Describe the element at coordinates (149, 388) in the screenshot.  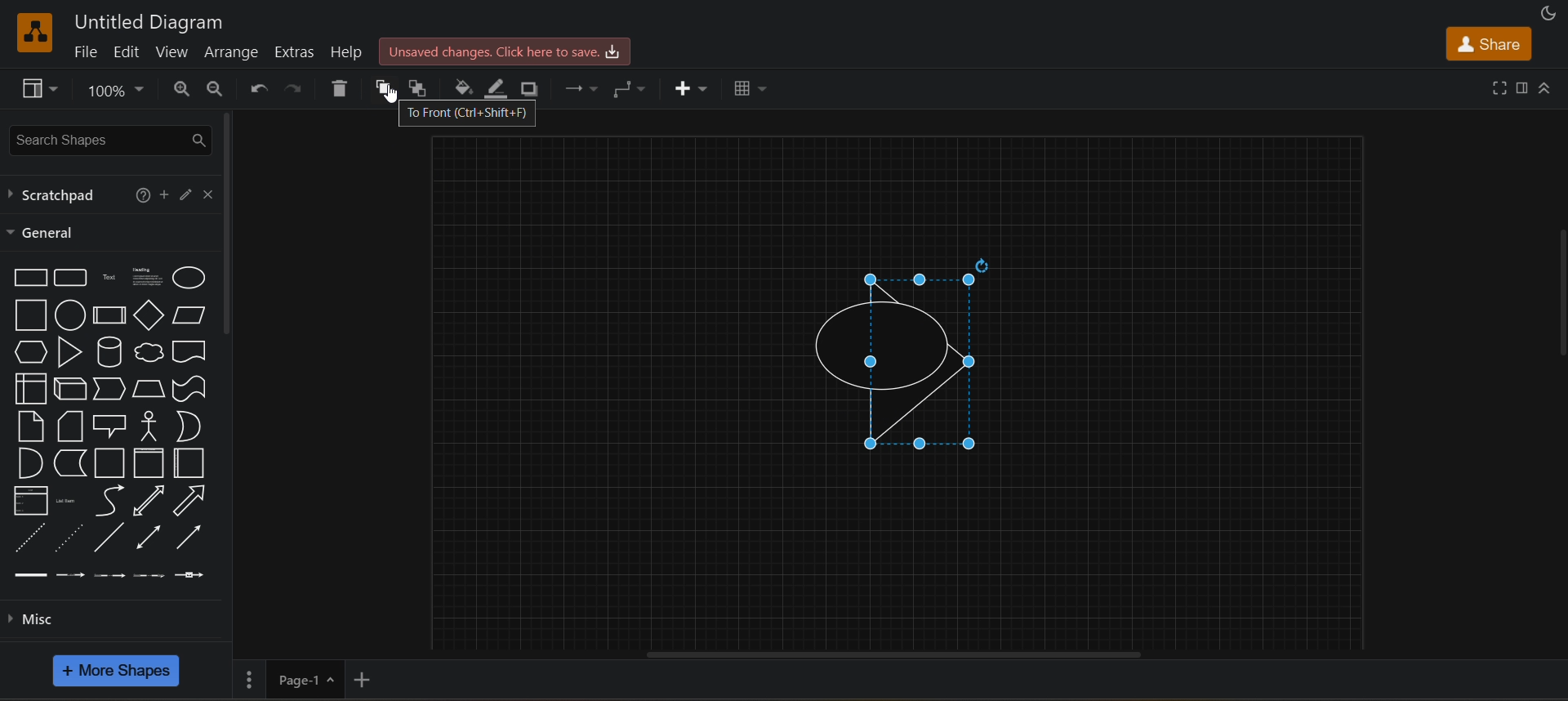
I see `trapezoid` at that location.